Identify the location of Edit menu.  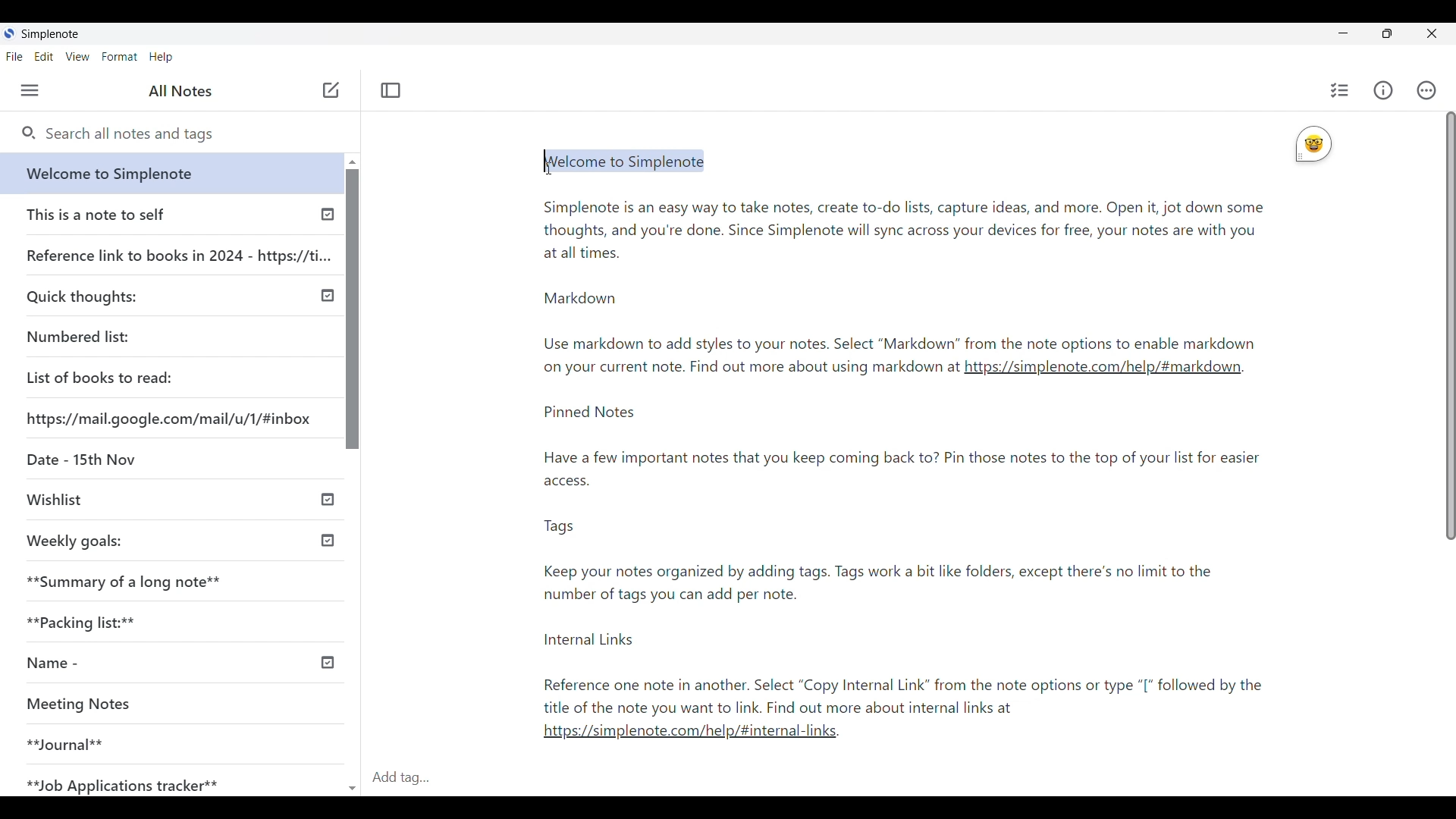
(44, 56).